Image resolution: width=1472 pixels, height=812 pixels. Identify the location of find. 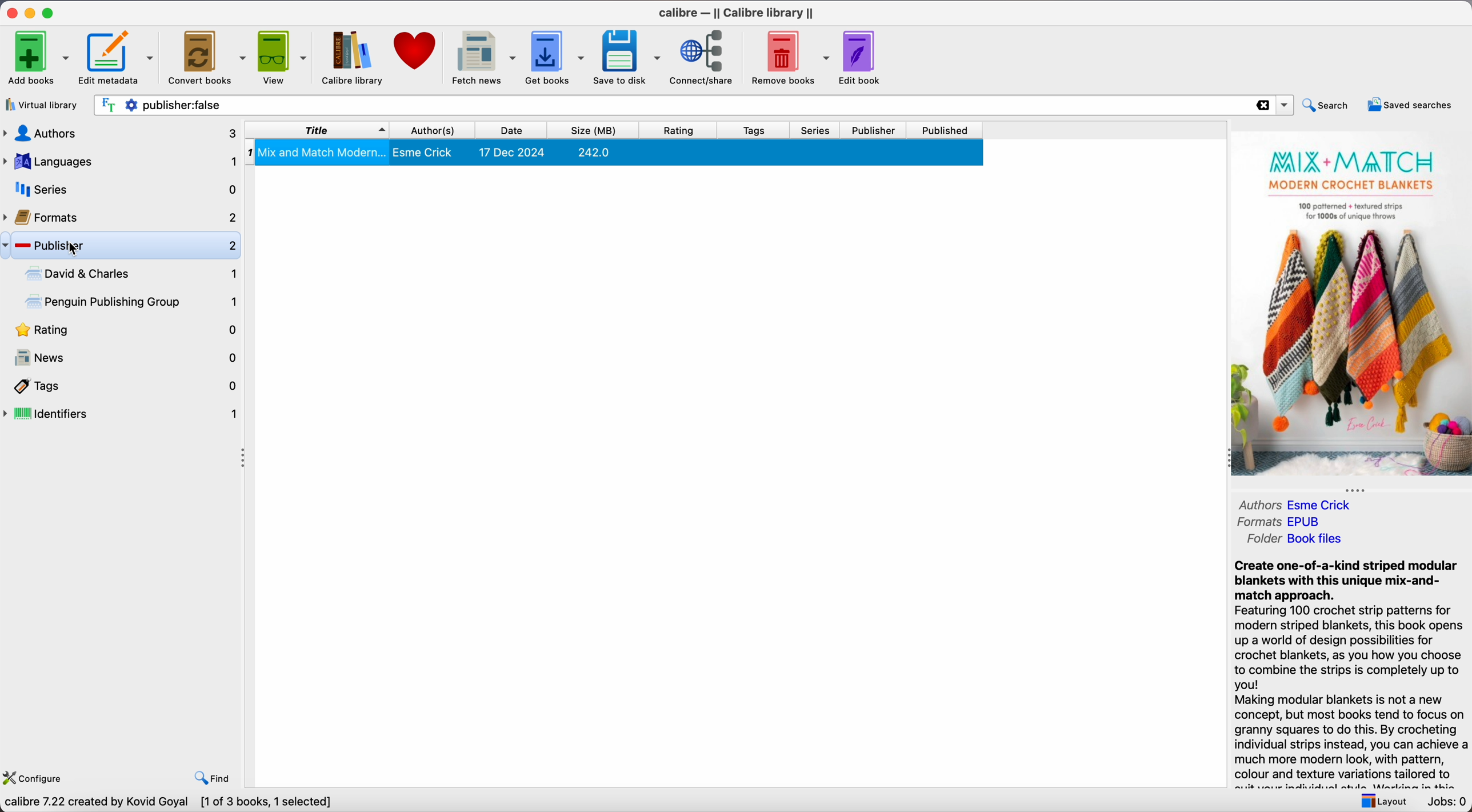
(214, 777).